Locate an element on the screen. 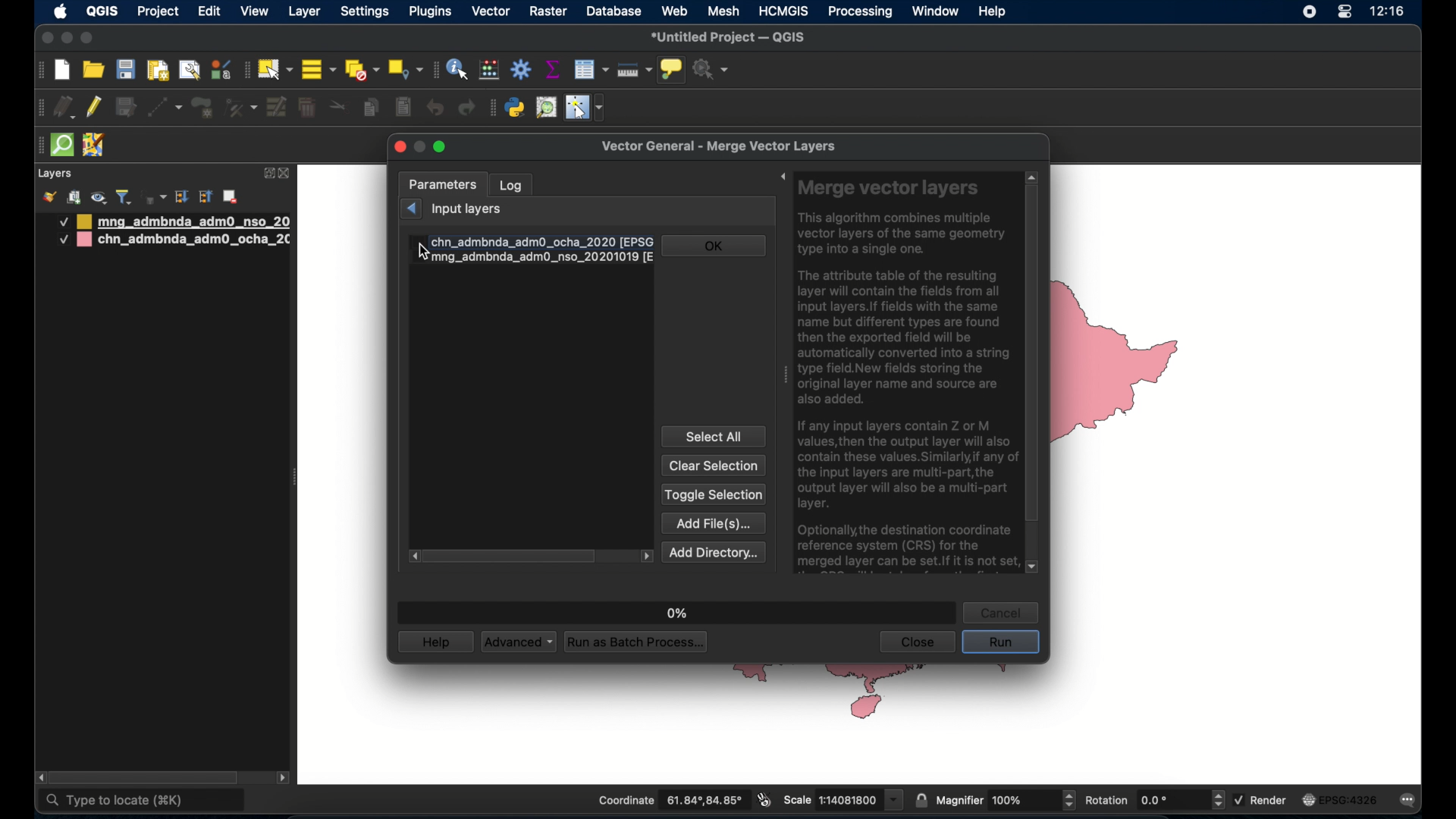  maximize is located at coordinates (87, 39).